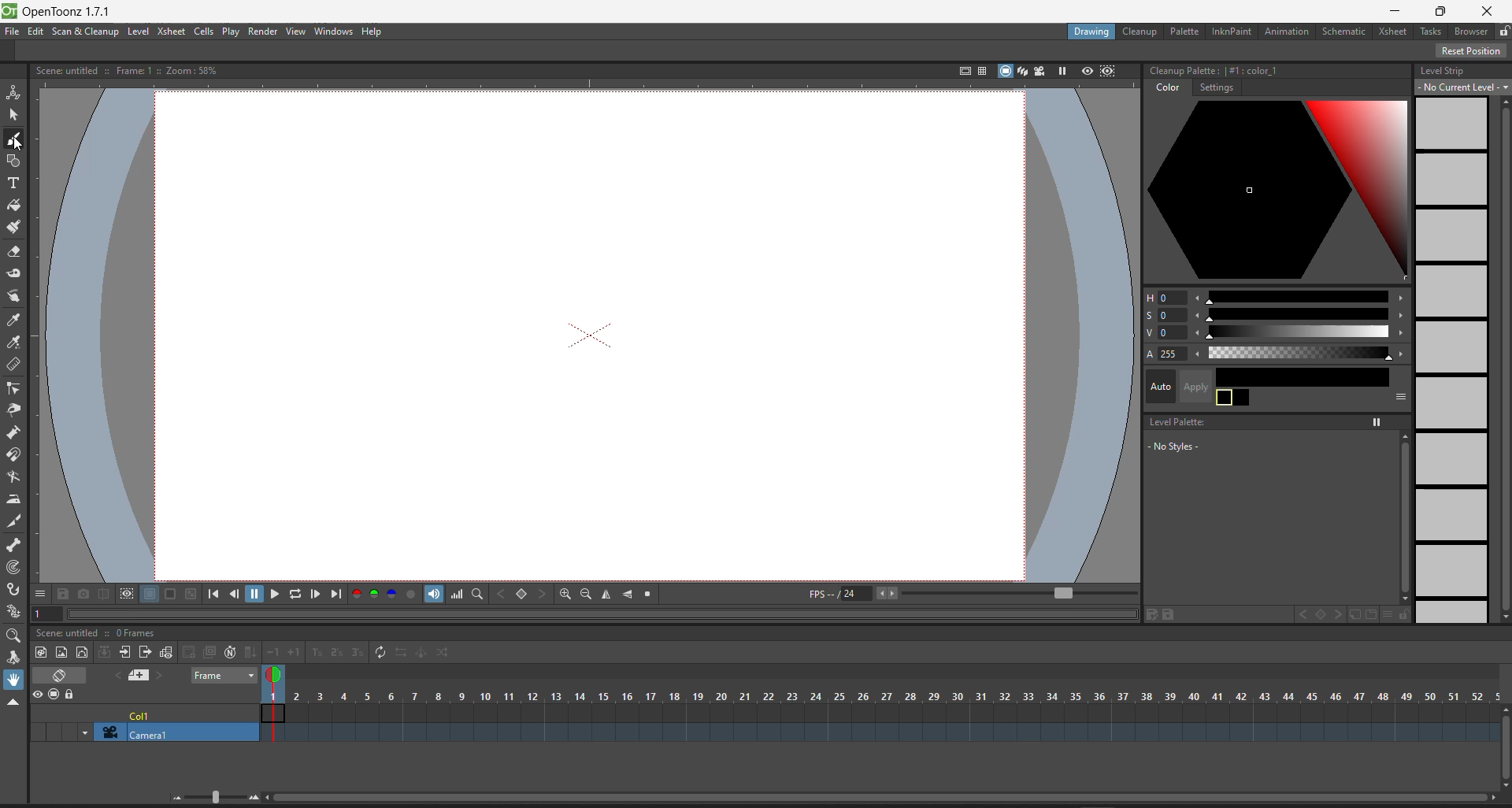  I want to click on ruler tool, so click(17, 366).